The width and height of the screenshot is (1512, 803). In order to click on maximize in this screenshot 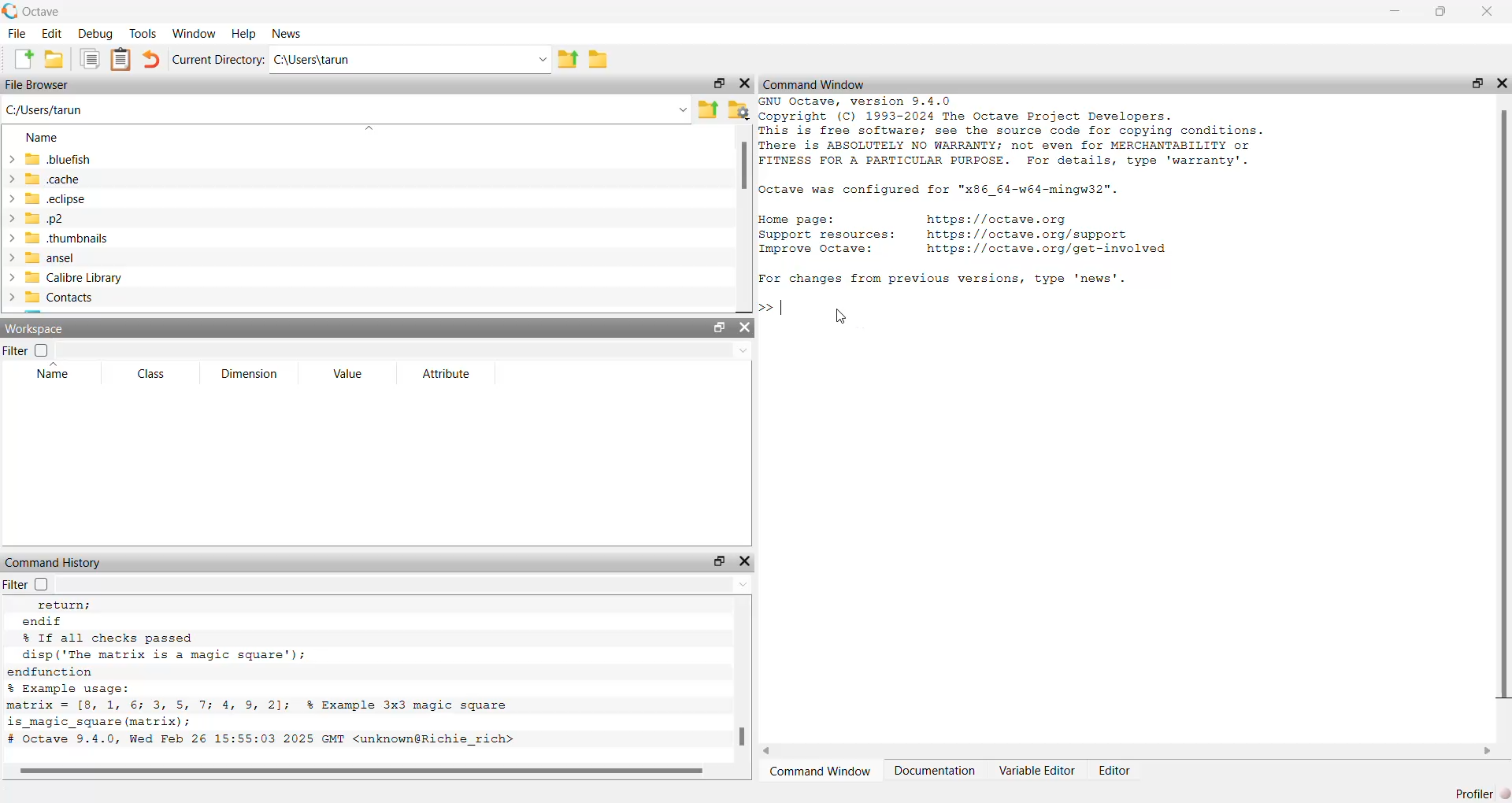, I will do `click(718, 327)`.